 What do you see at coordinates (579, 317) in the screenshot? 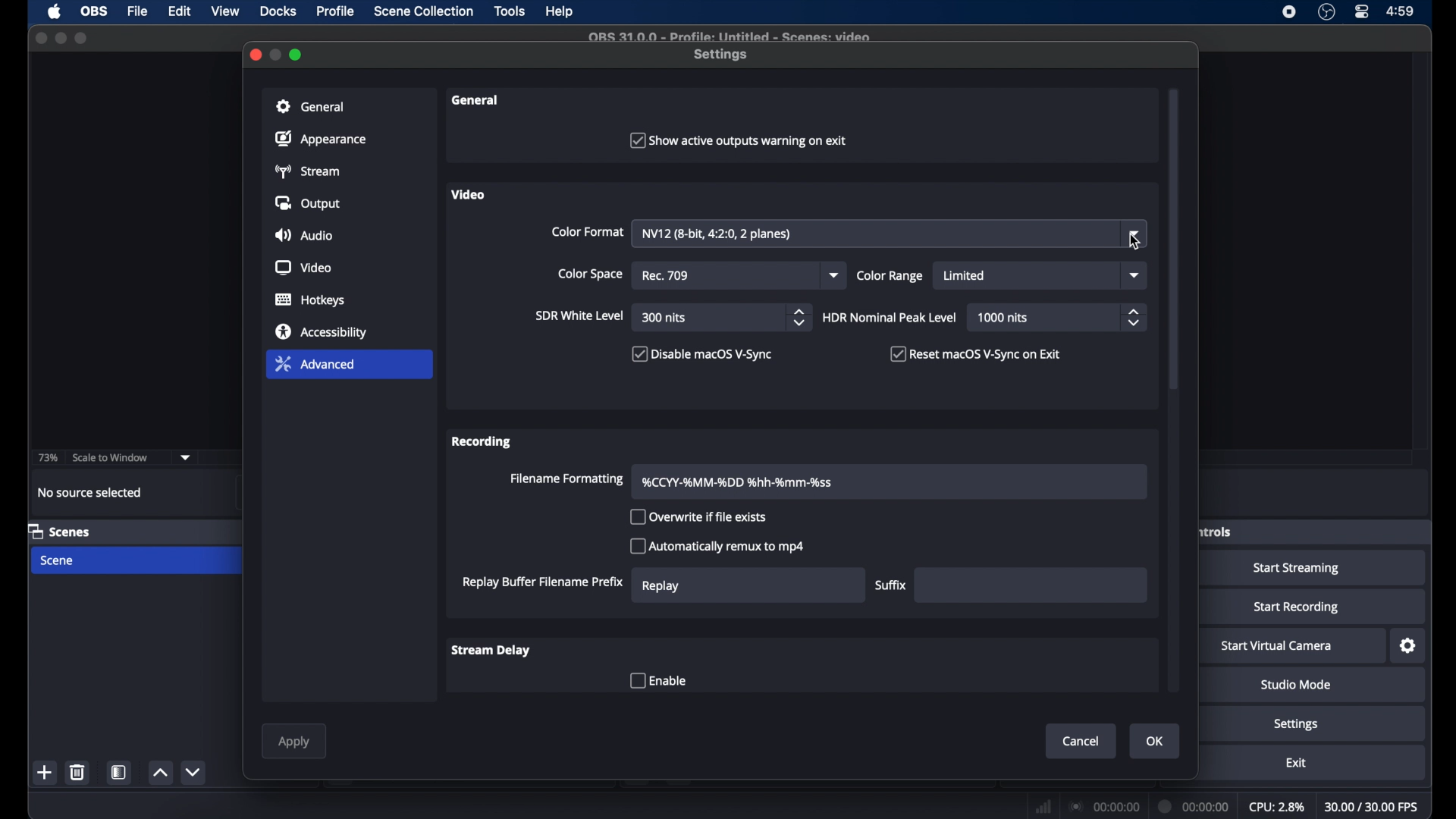
I see `sdr white level` at bounding box center [579, 317].